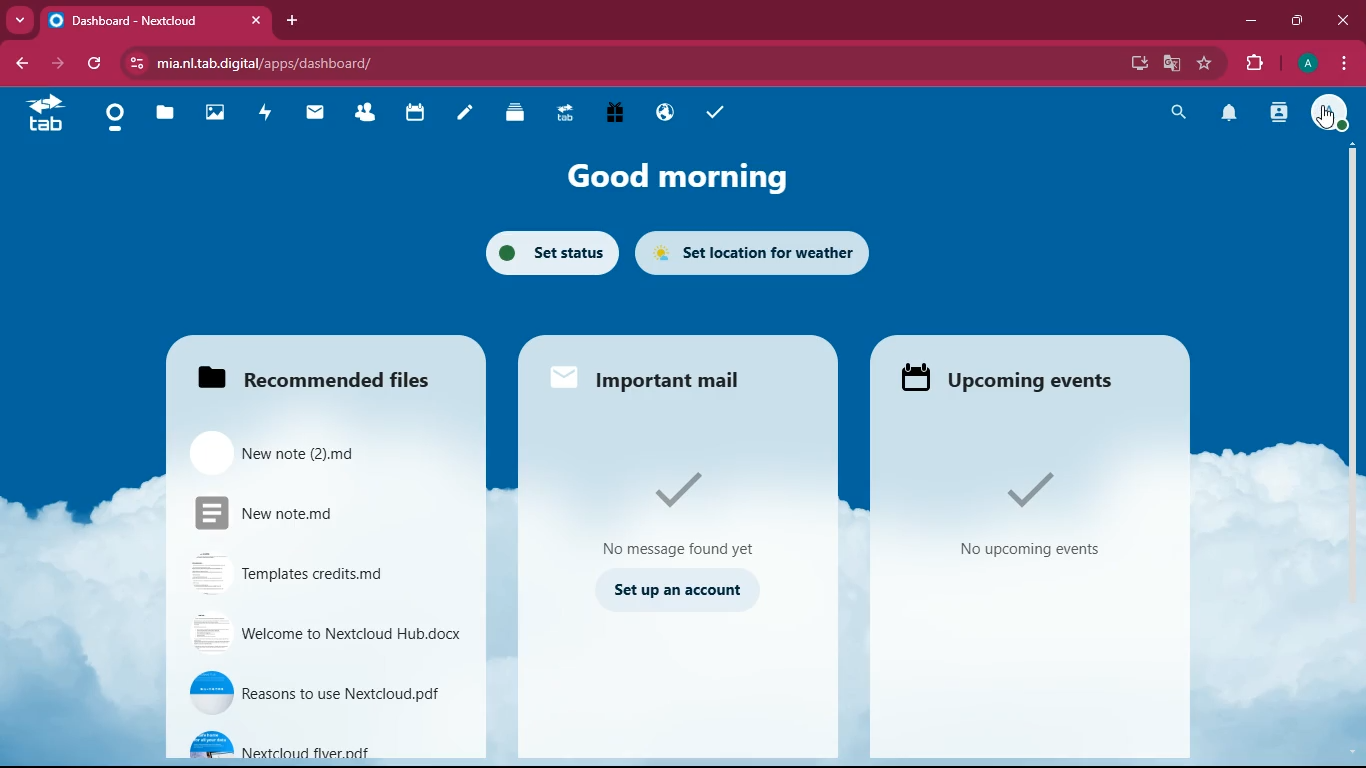 The width and height of the screenshot is (1366, 768). Describe the element at coordinates (1019, 379) in the screenshot. I see `events` at that location.